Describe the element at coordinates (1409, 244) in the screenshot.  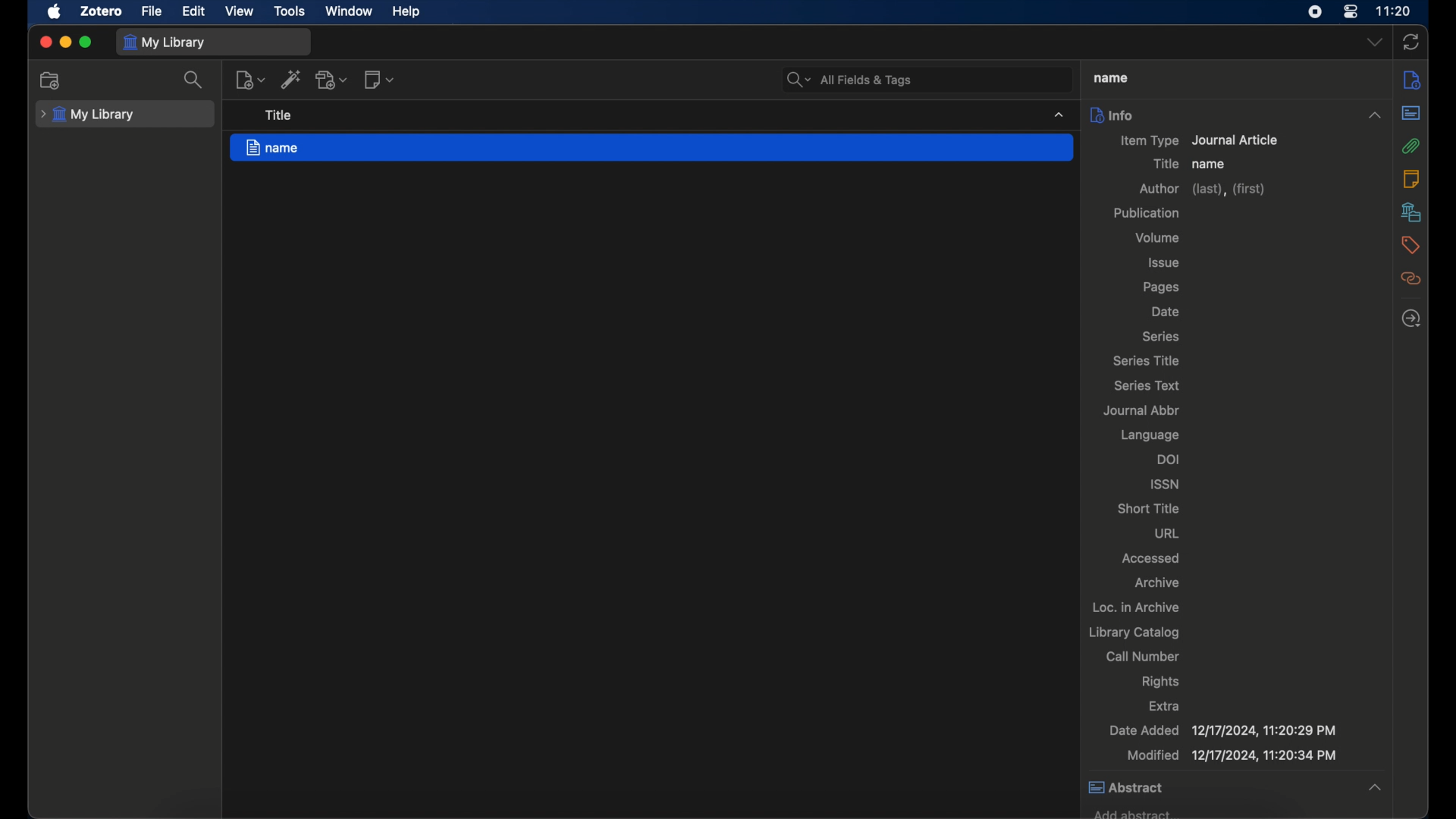
I see `tags` at that location.